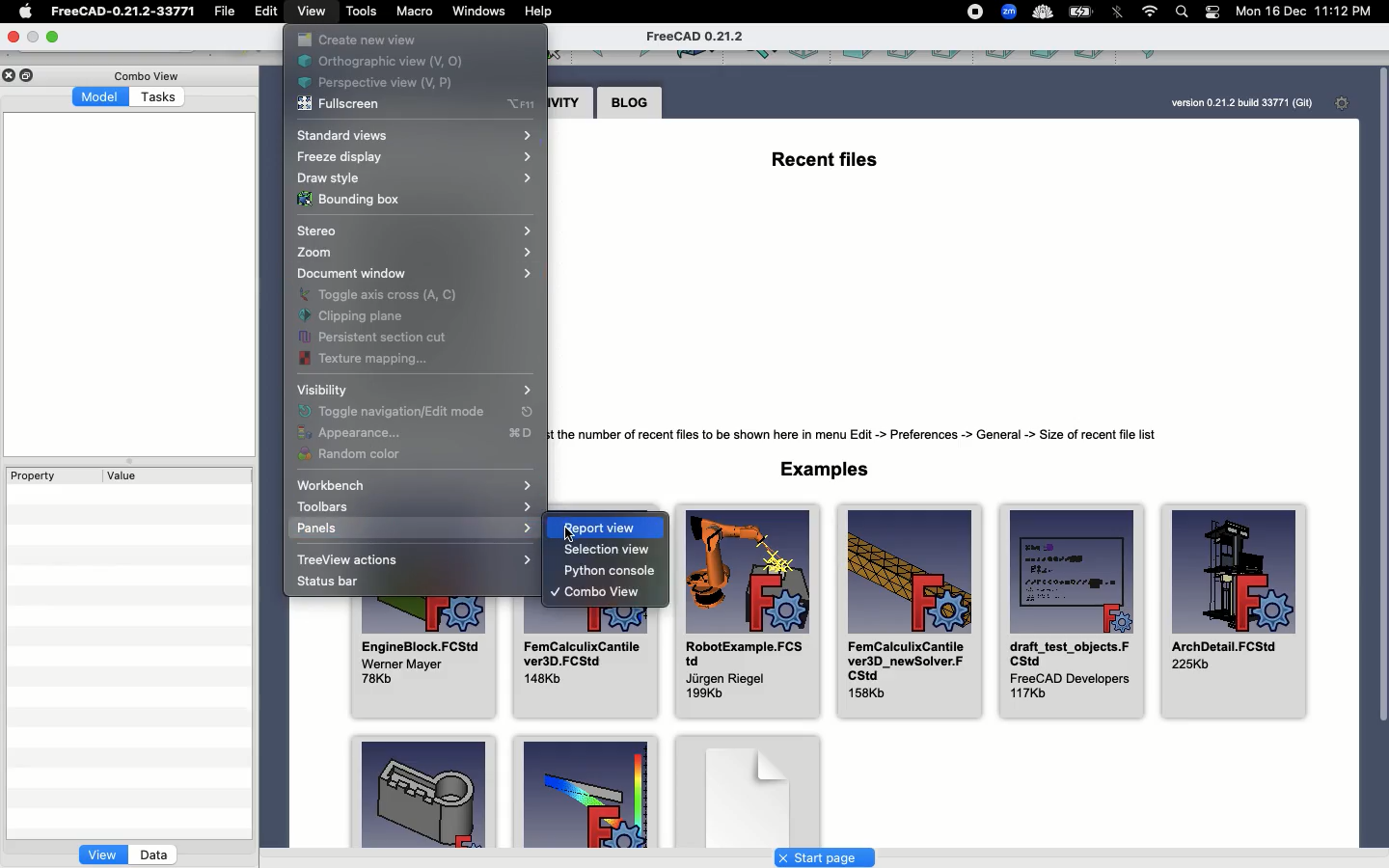 The image size is (1389, 868). Describe the element at coordinates (872, 432) in the screenshot. I see `Tip: Adjust the number of recent files to be shown here in menu Edit -> Preferences -> General -> Size of recent file list` at that location.